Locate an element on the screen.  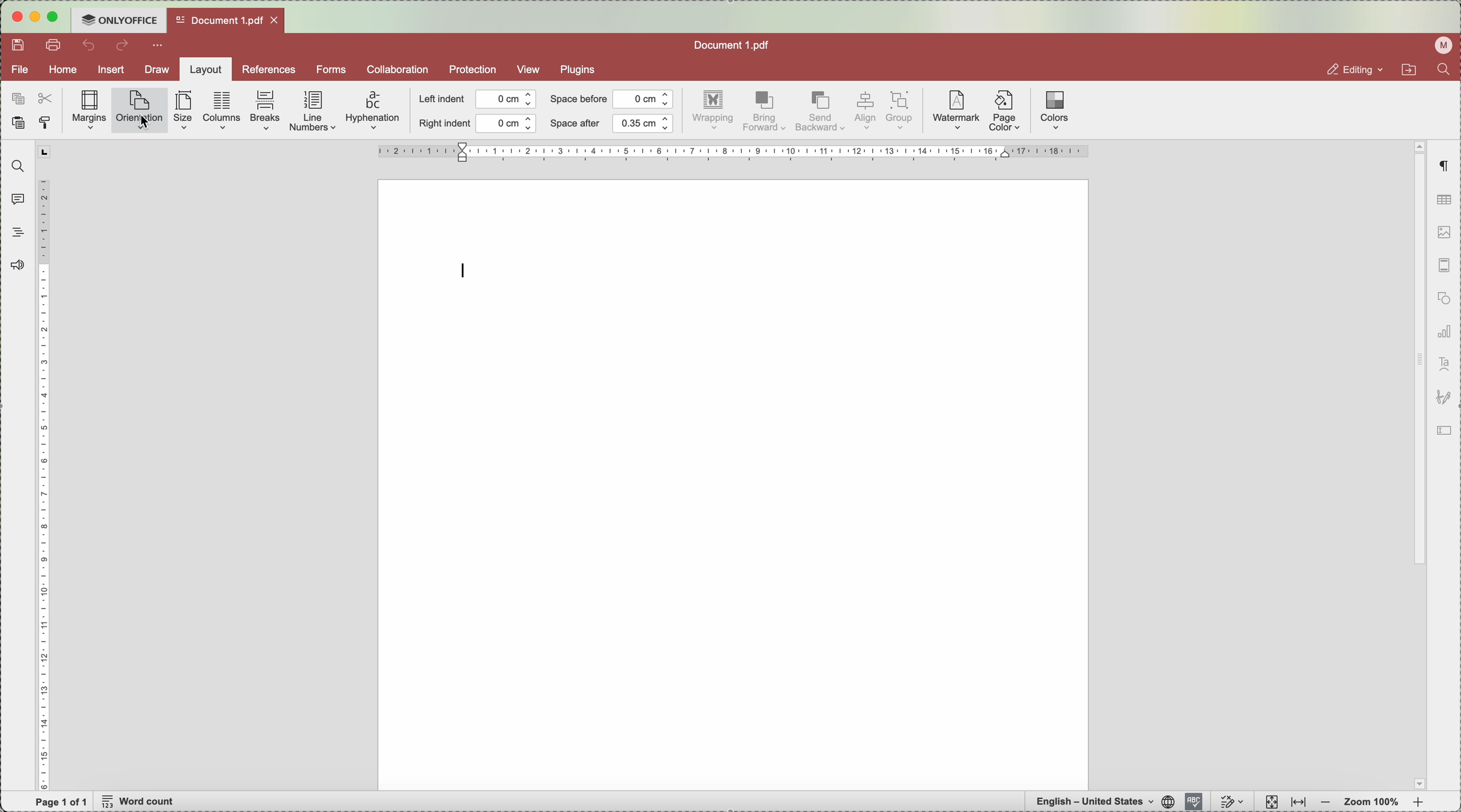
undo is located at coordinates (90, 45).